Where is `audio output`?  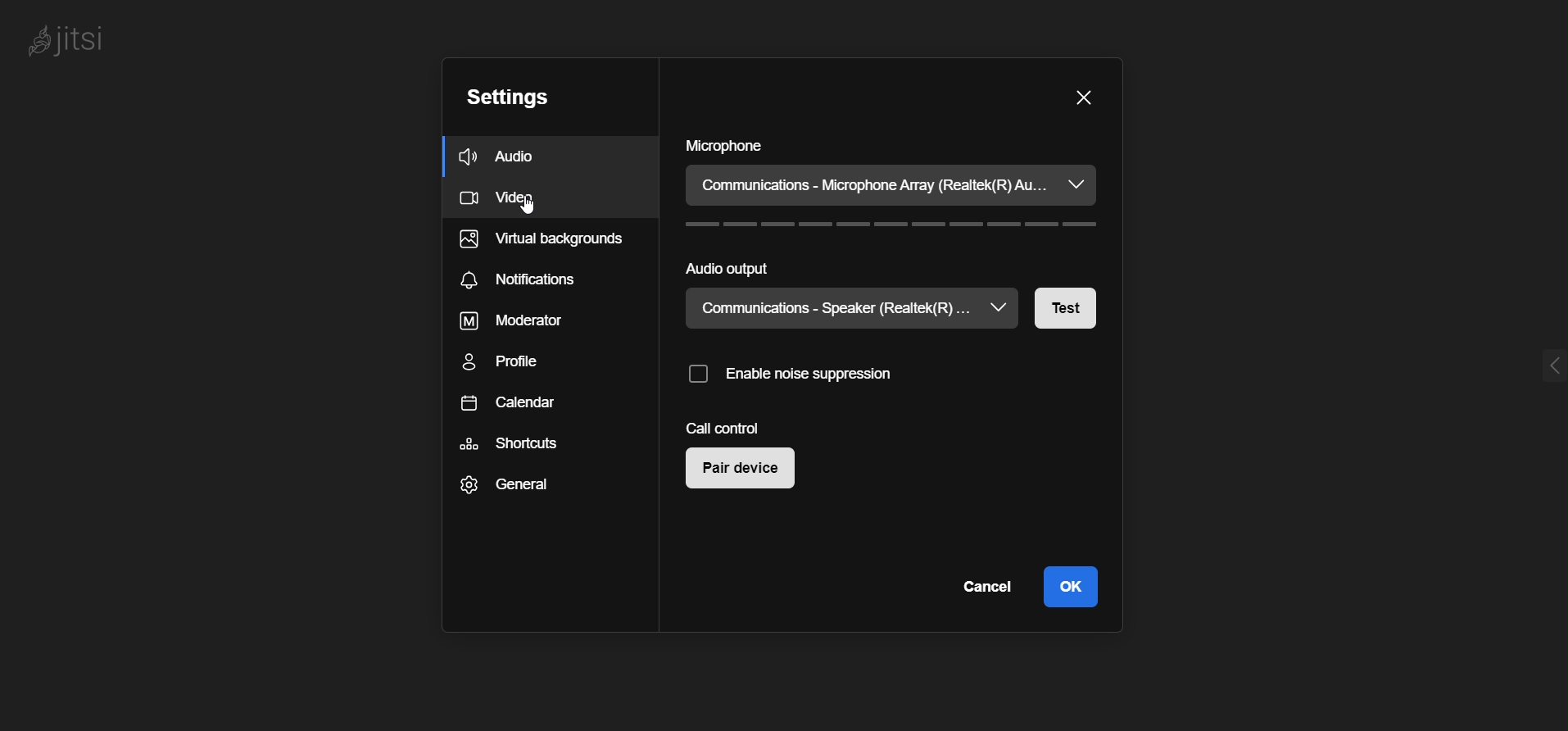 audio output is located at coordinates (739, 273).